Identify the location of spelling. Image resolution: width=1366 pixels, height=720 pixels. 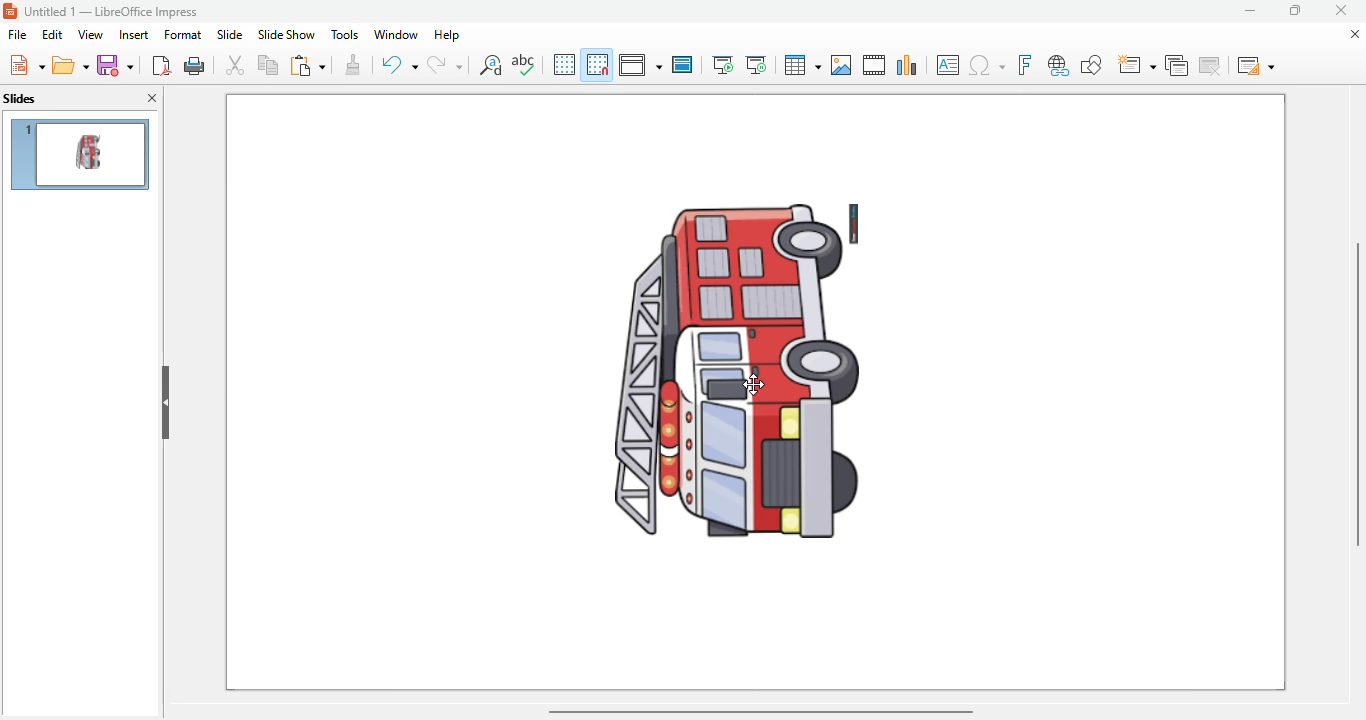
(524, 65).